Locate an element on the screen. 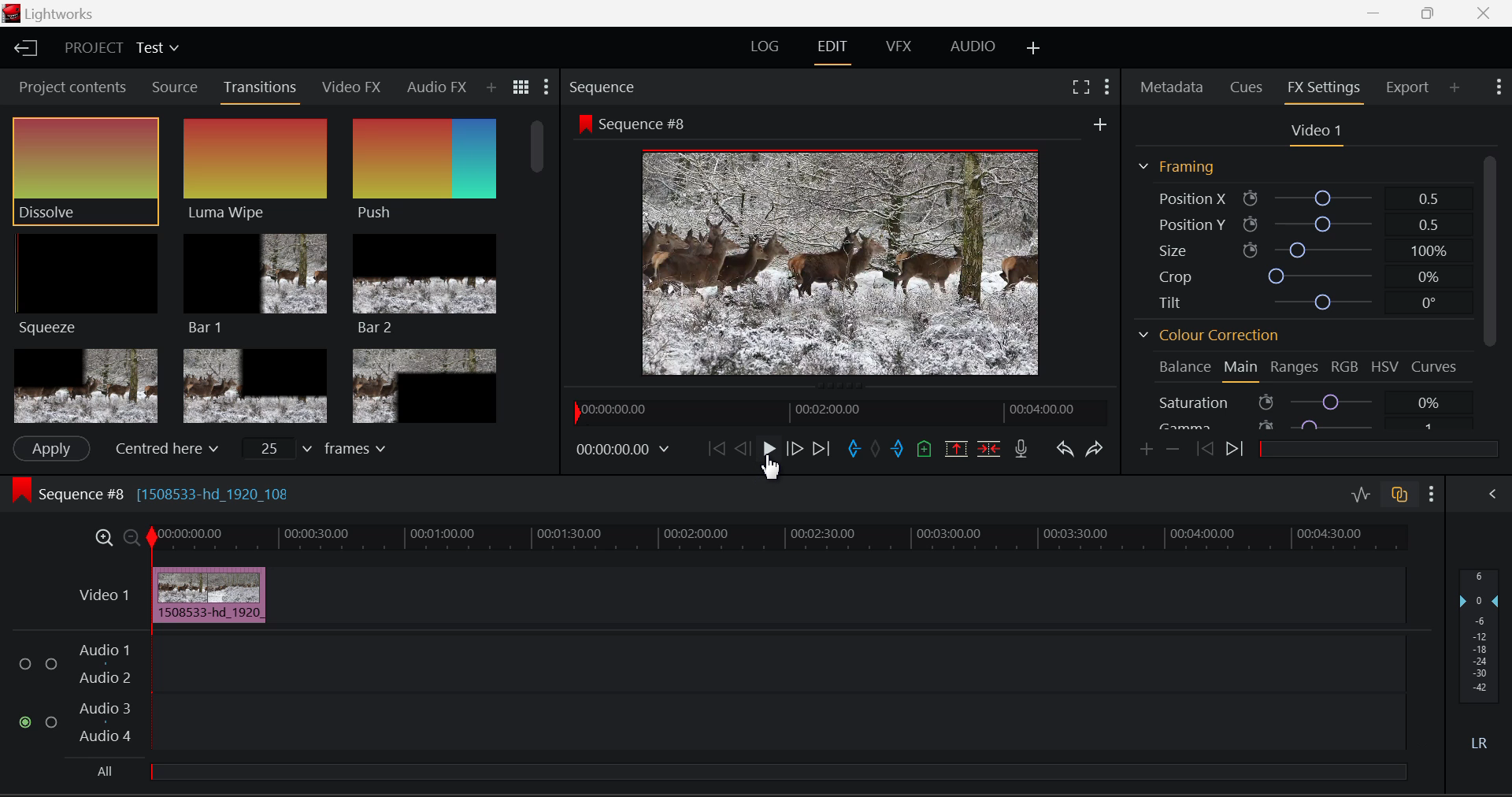  Sequence #8 Editing Section is located at coordinates (198, 495).